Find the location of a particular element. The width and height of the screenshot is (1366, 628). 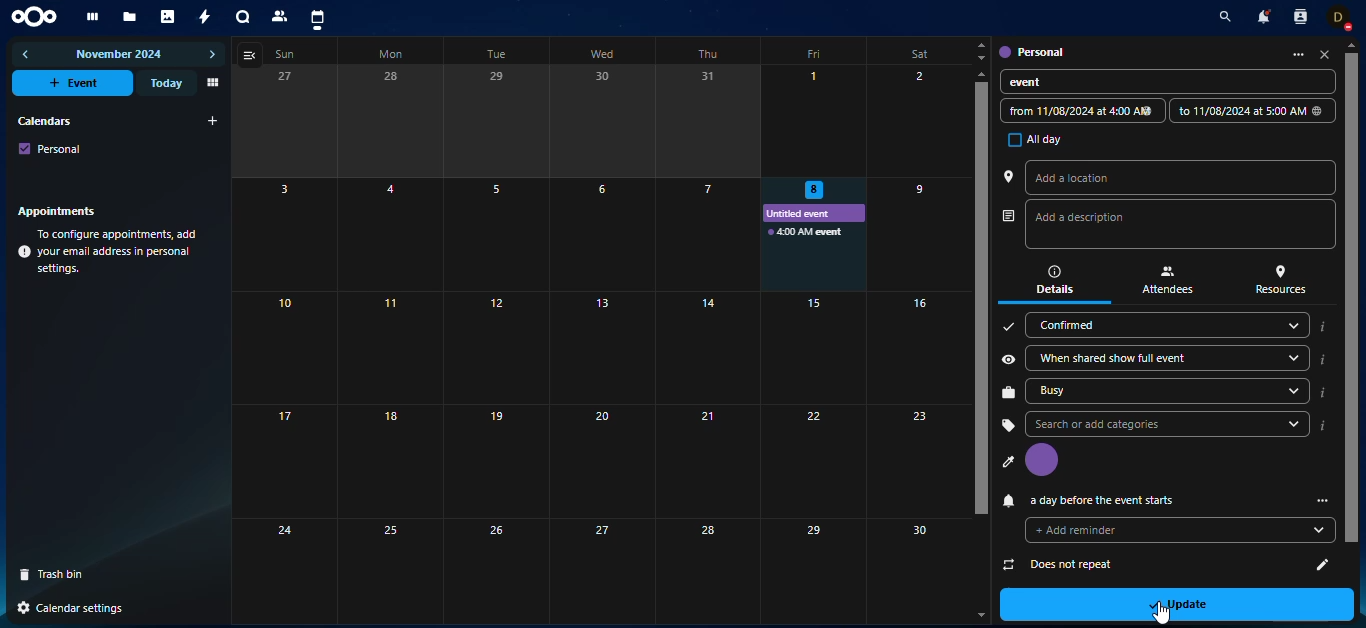

author is located at coordinates (1006, 217).